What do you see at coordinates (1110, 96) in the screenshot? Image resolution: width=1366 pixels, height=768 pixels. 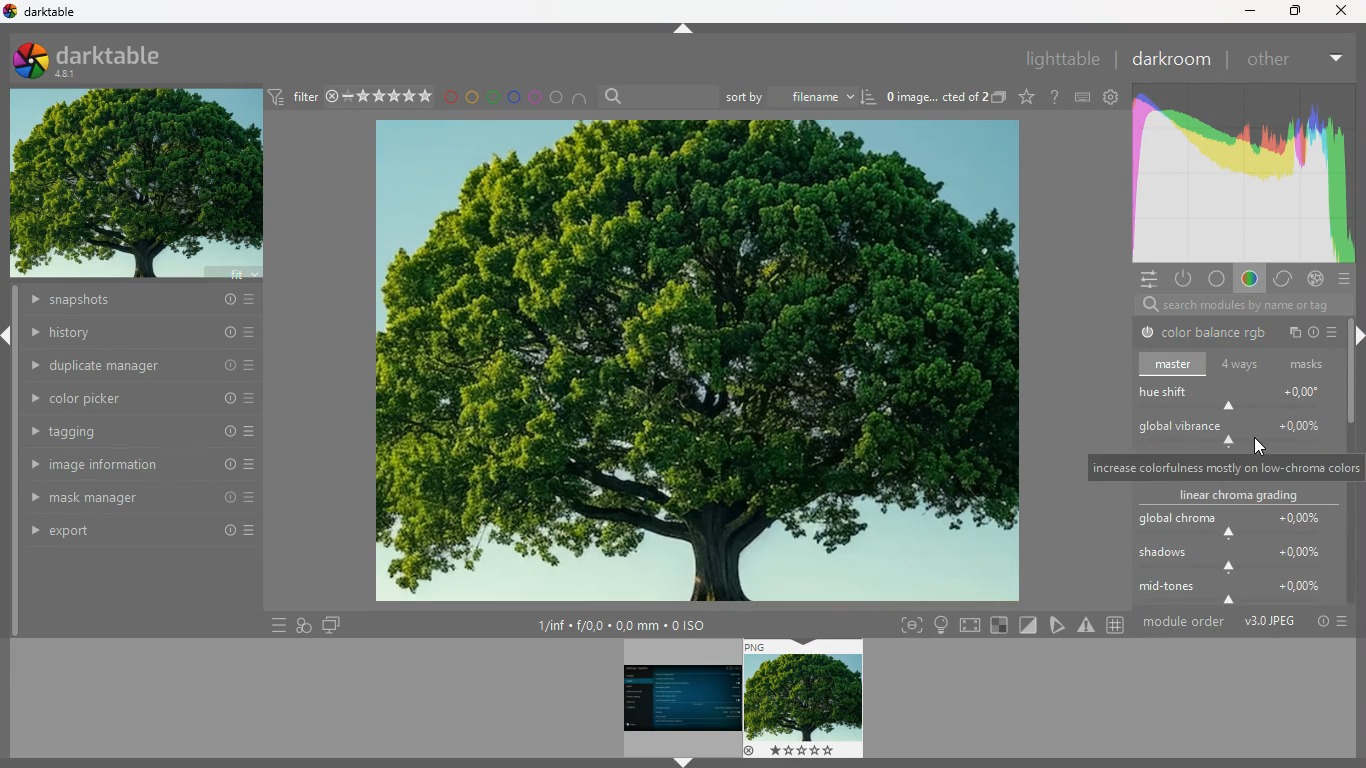 I see `settings` at bounding box center [1110, 96].